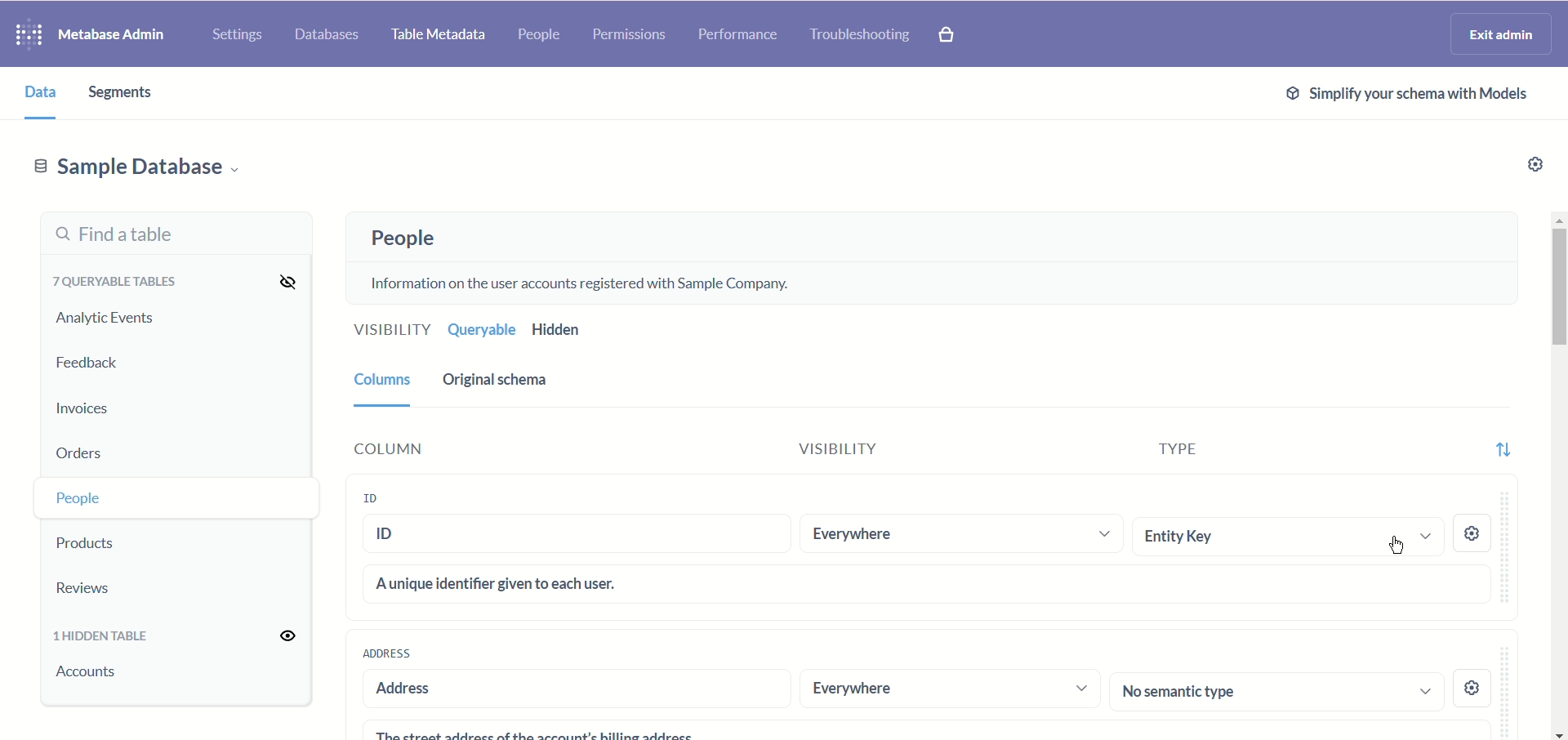 The height and width of the screenshot is (740, 1568). I want to click on sort, so click(1502, 444).